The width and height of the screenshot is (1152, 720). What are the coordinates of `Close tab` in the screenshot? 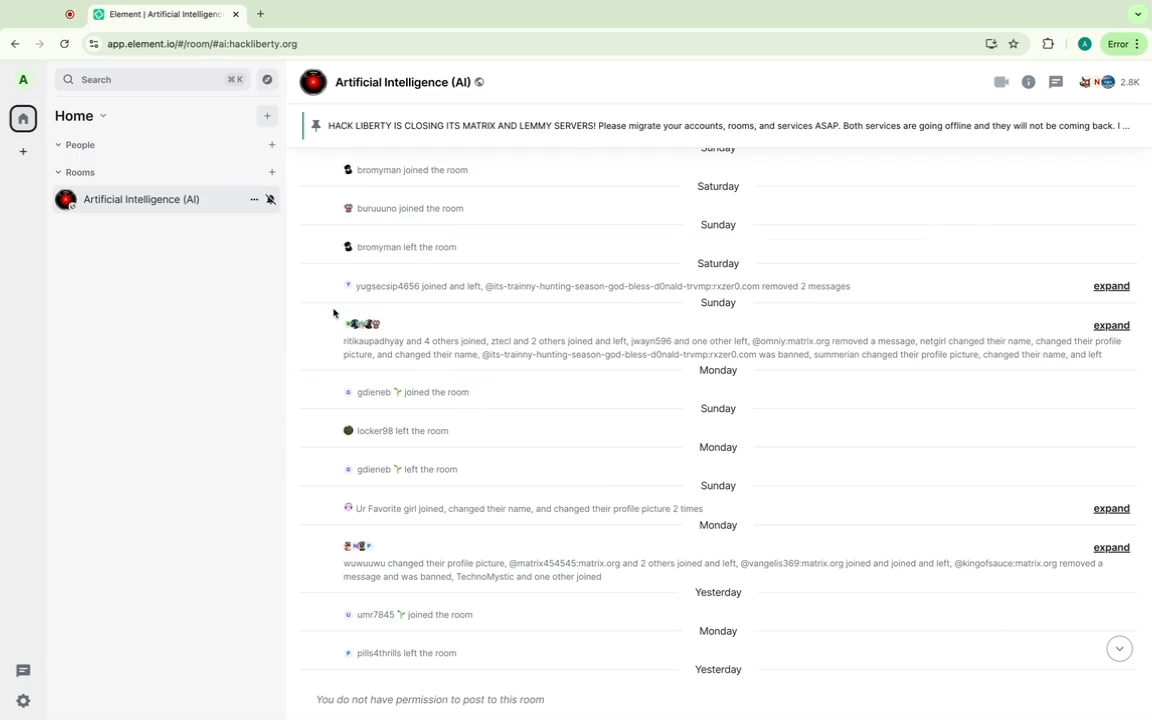 It's located at (236, 14).